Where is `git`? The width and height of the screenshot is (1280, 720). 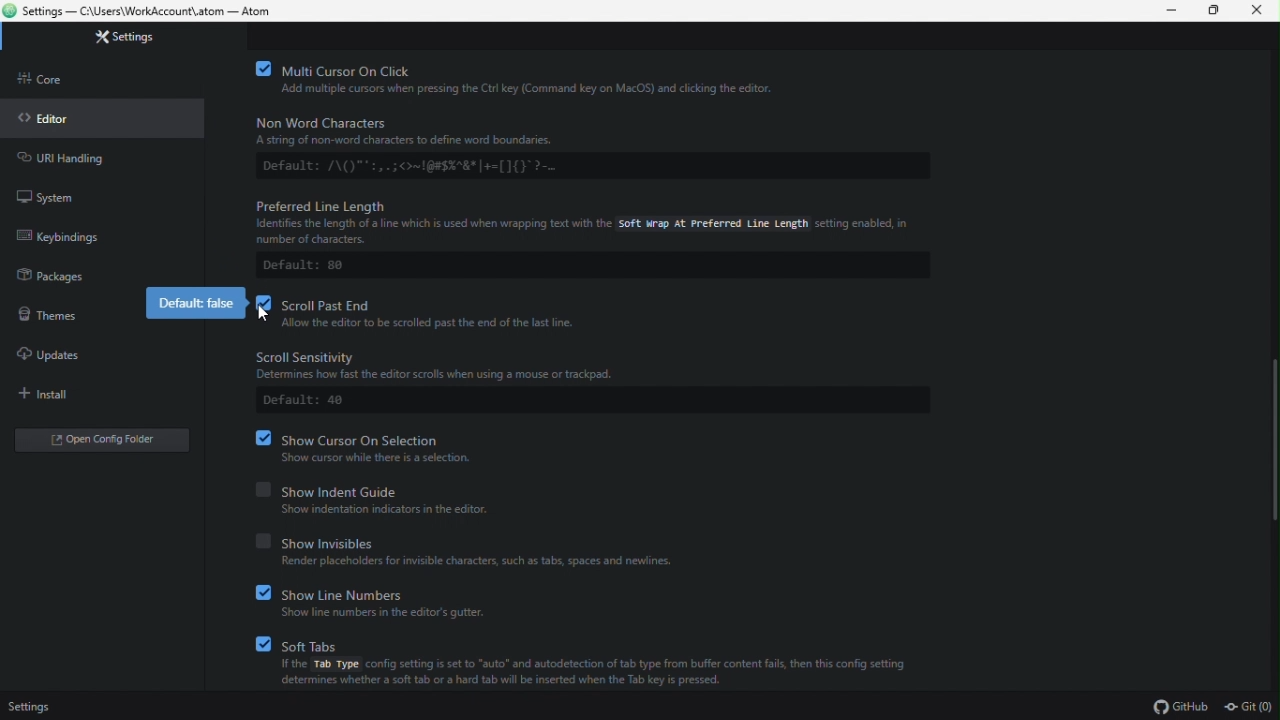
git is located at coordinates (1250, 707).